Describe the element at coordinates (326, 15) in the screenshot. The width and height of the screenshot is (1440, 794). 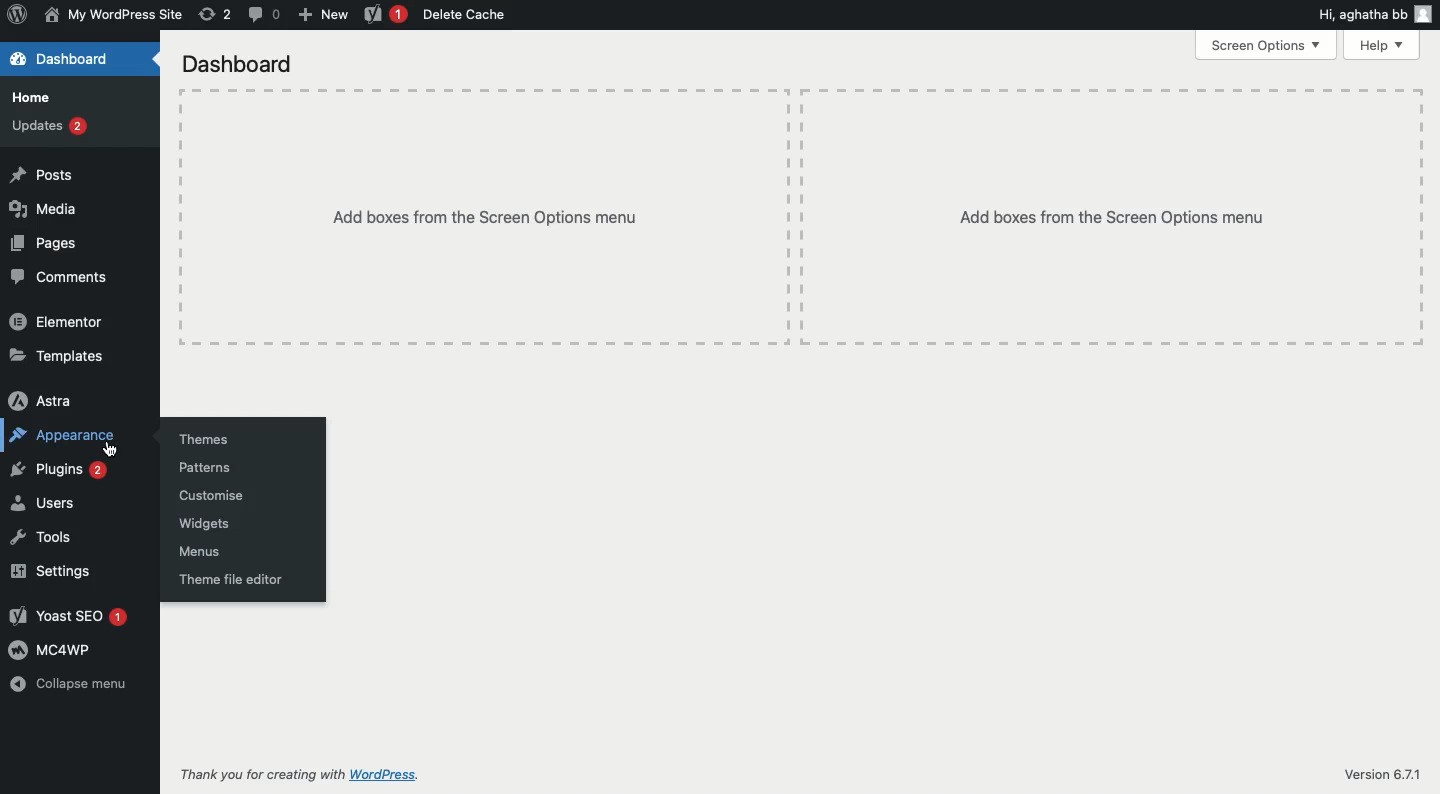
I see `New` at that location.